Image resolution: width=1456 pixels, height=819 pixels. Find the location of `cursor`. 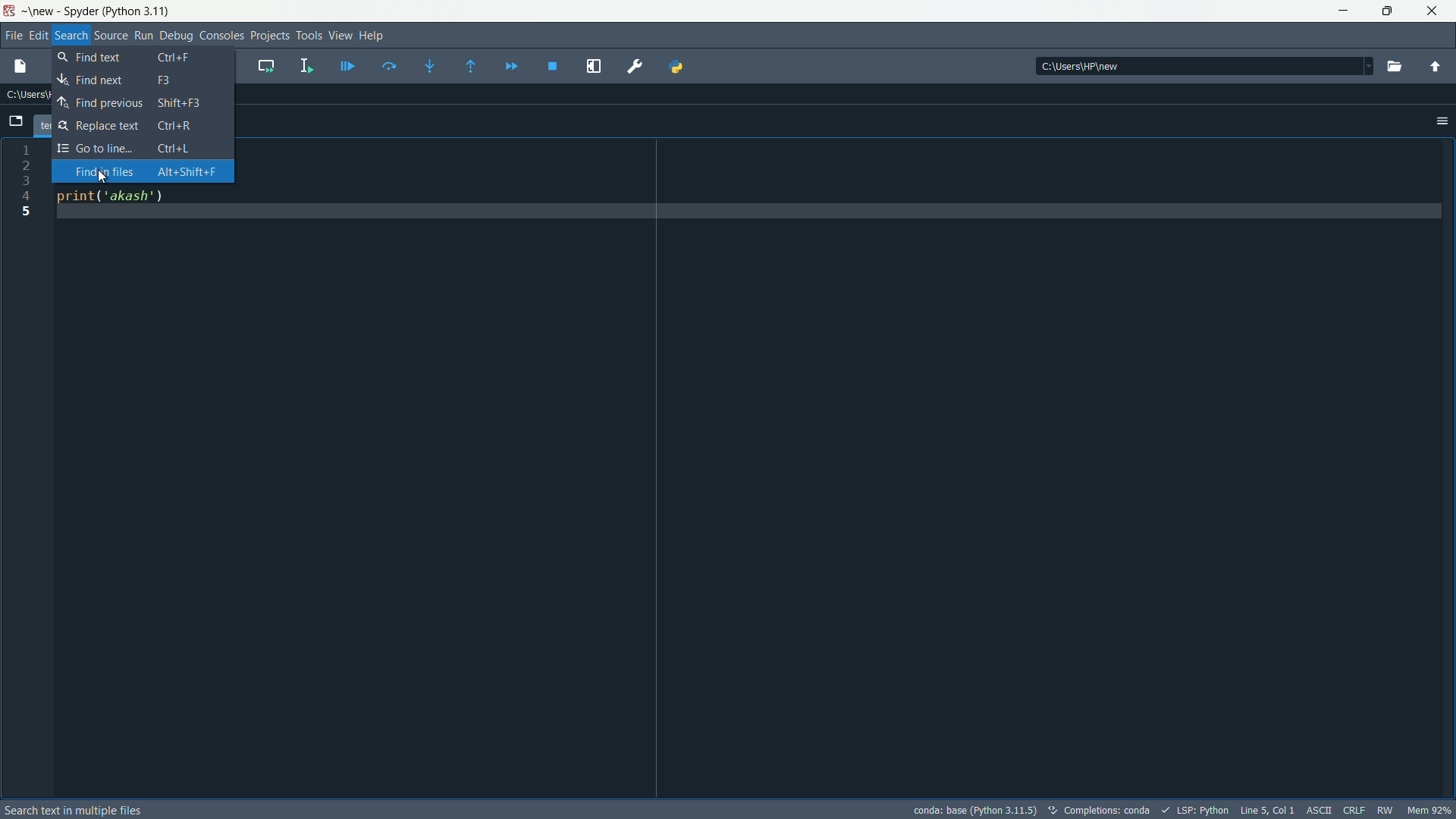

cursor is located at coordinates (102, 178).